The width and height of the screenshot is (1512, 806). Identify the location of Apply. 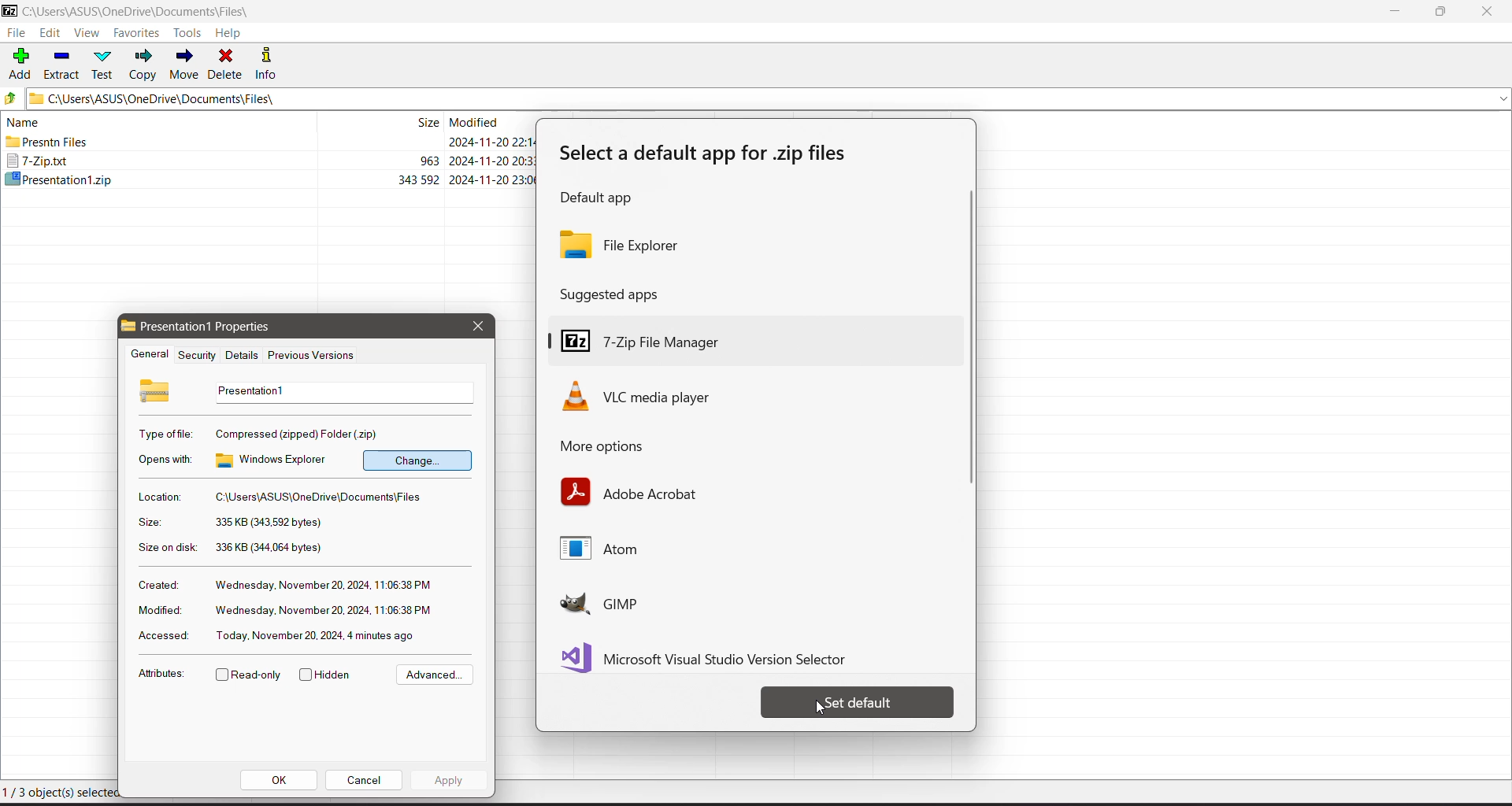
(449, 779).